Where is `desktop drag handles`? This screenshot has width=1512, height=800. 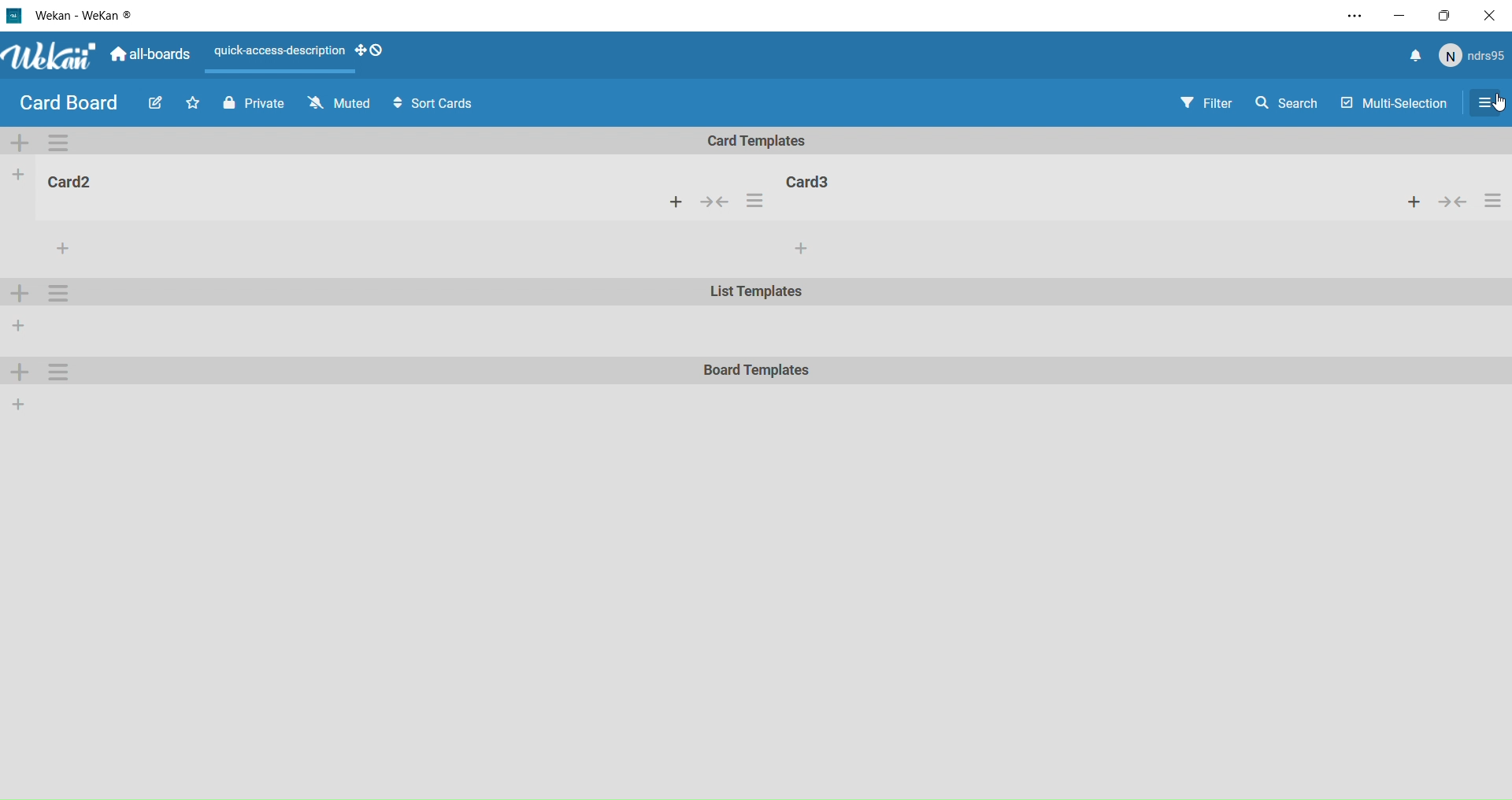
desktop drag handles is located at coordinates (376, 52).